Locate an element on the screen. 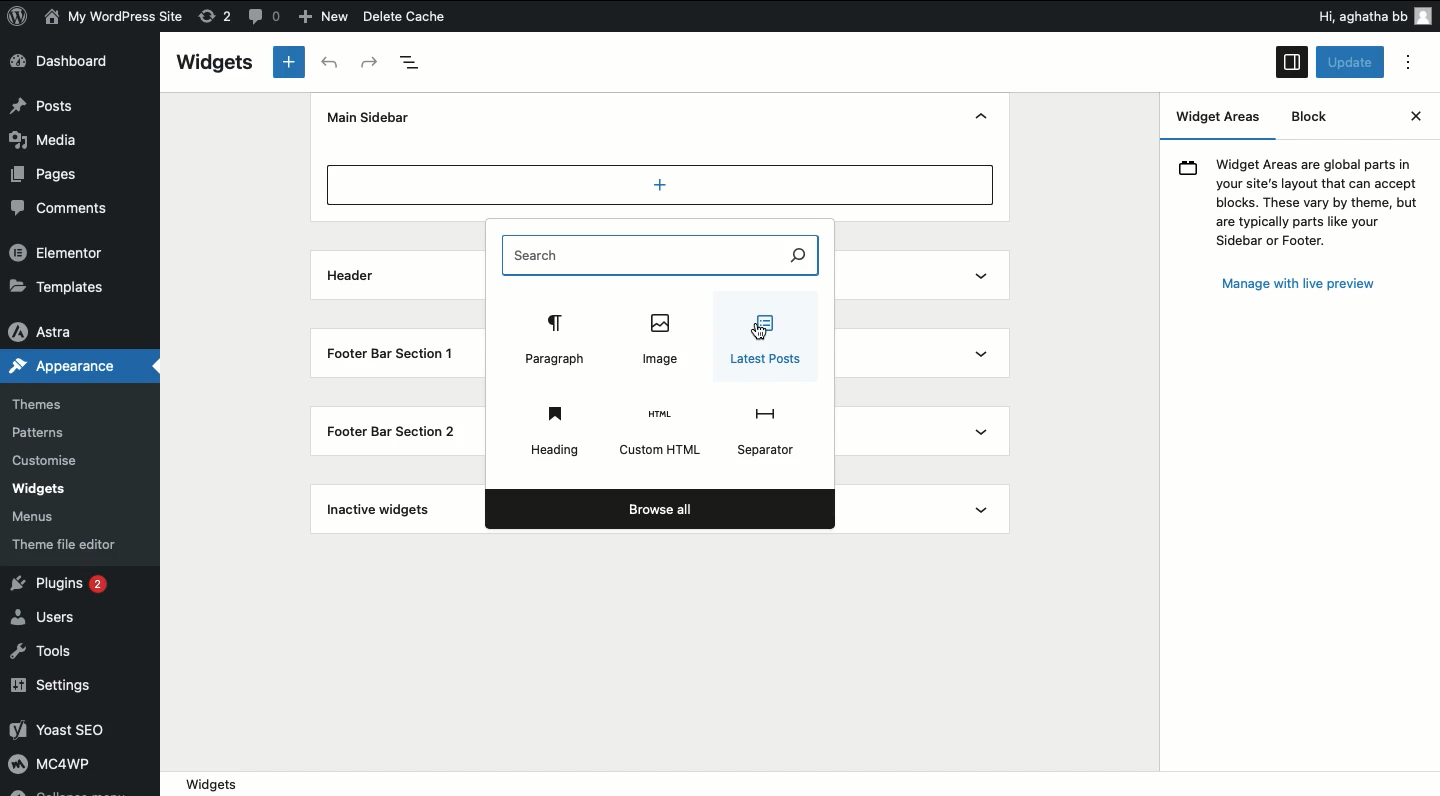 The width and height of the screenshot is (1440, 796). rework is located at coordinates (212, 15).